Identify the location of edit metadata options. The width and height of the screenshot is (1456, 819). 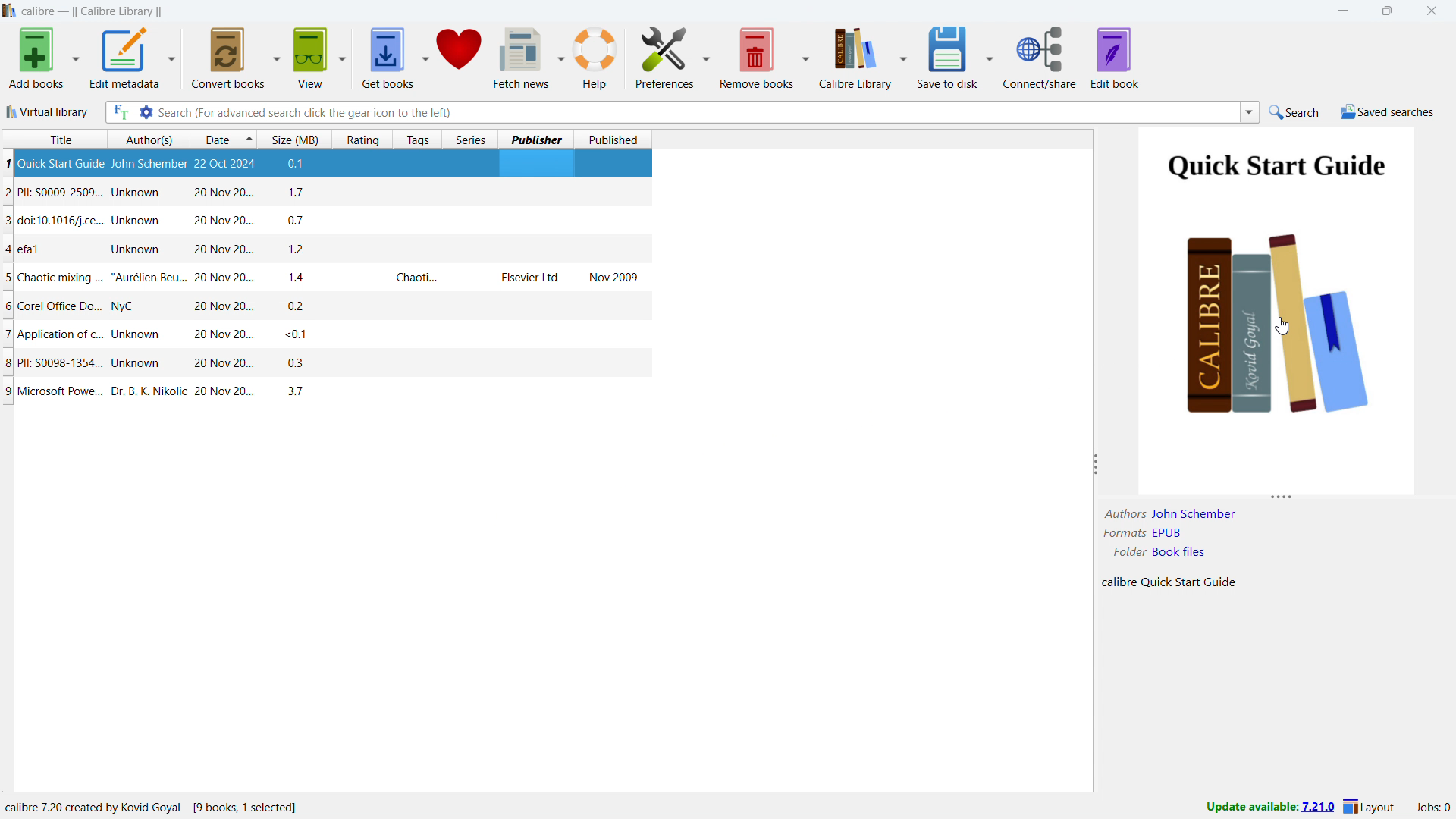
(173, 55).